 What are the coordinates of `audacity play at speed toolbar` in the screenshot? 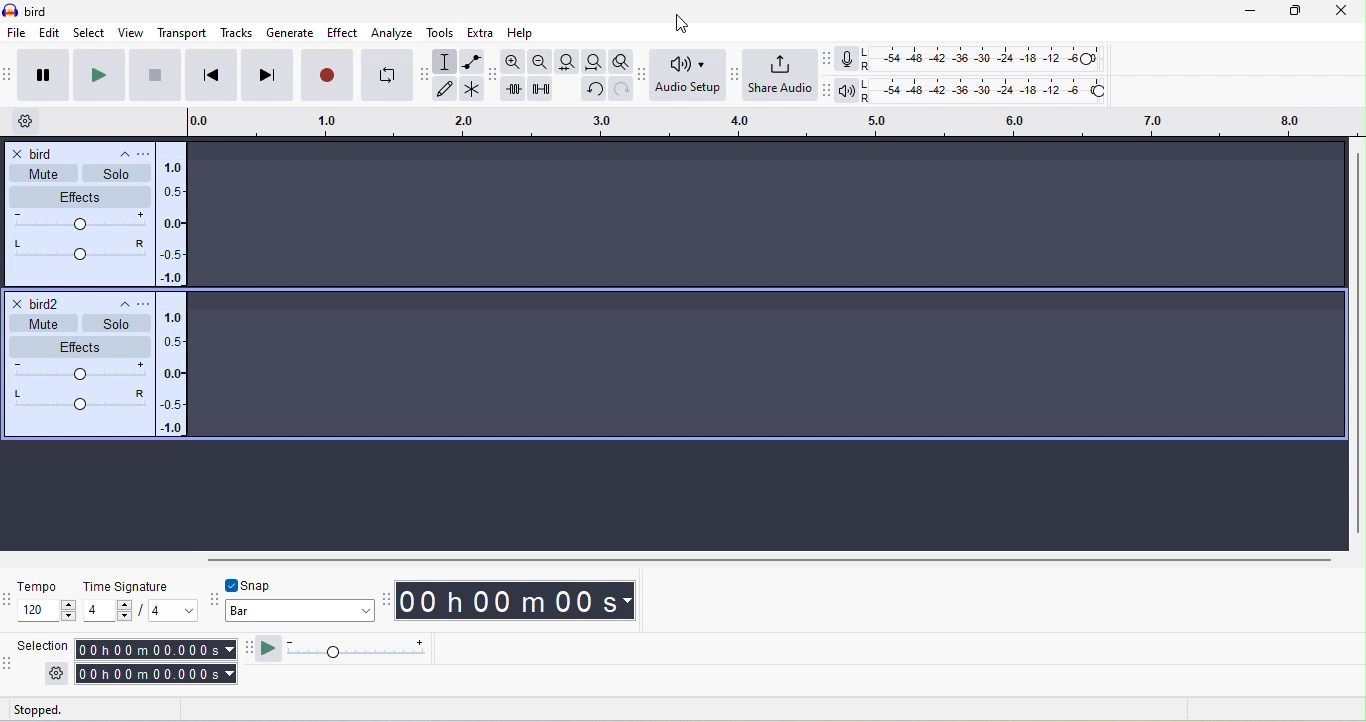 It's located at (249, 649).